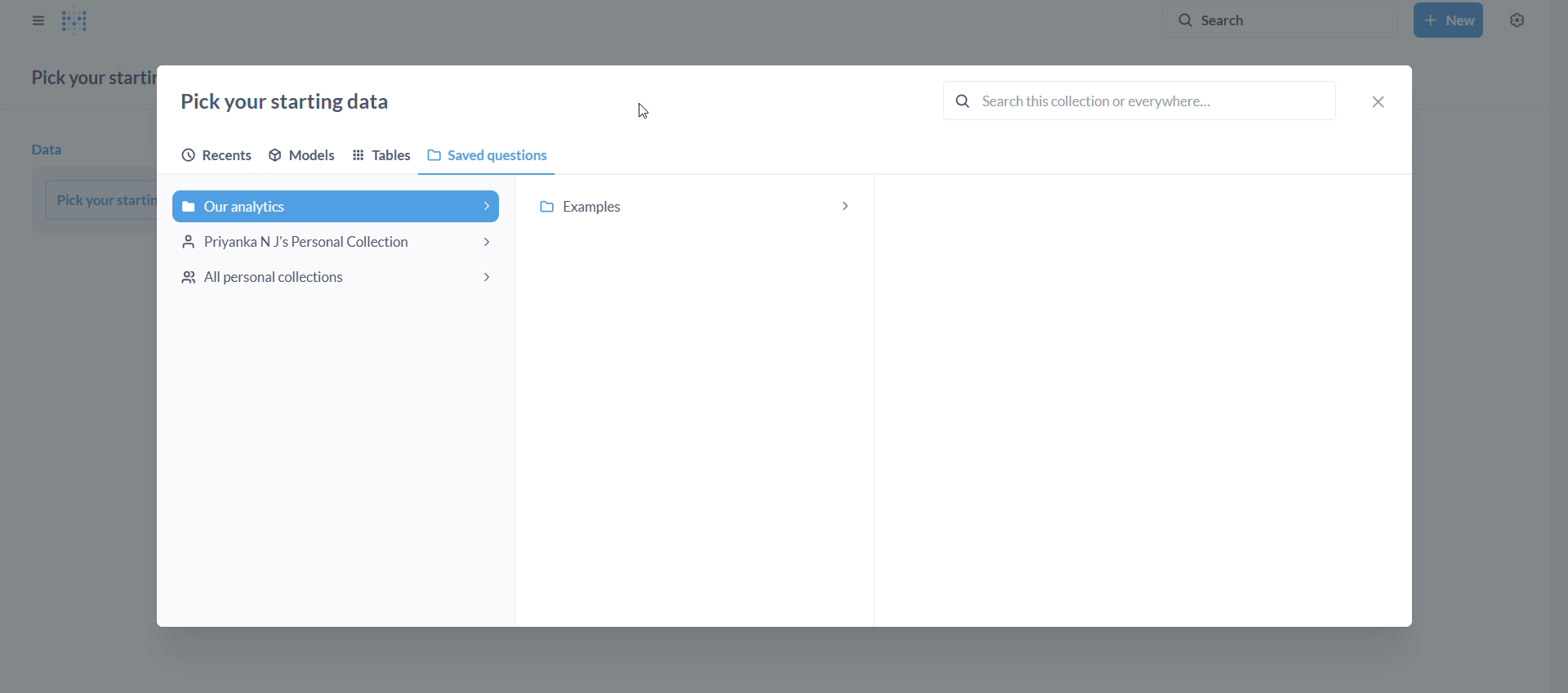 This screenshot has width=1568, height=693. What do you see at coordinates (491, 154) in the screenshot?
I see `saved questions` at bounding box center [491, 154].